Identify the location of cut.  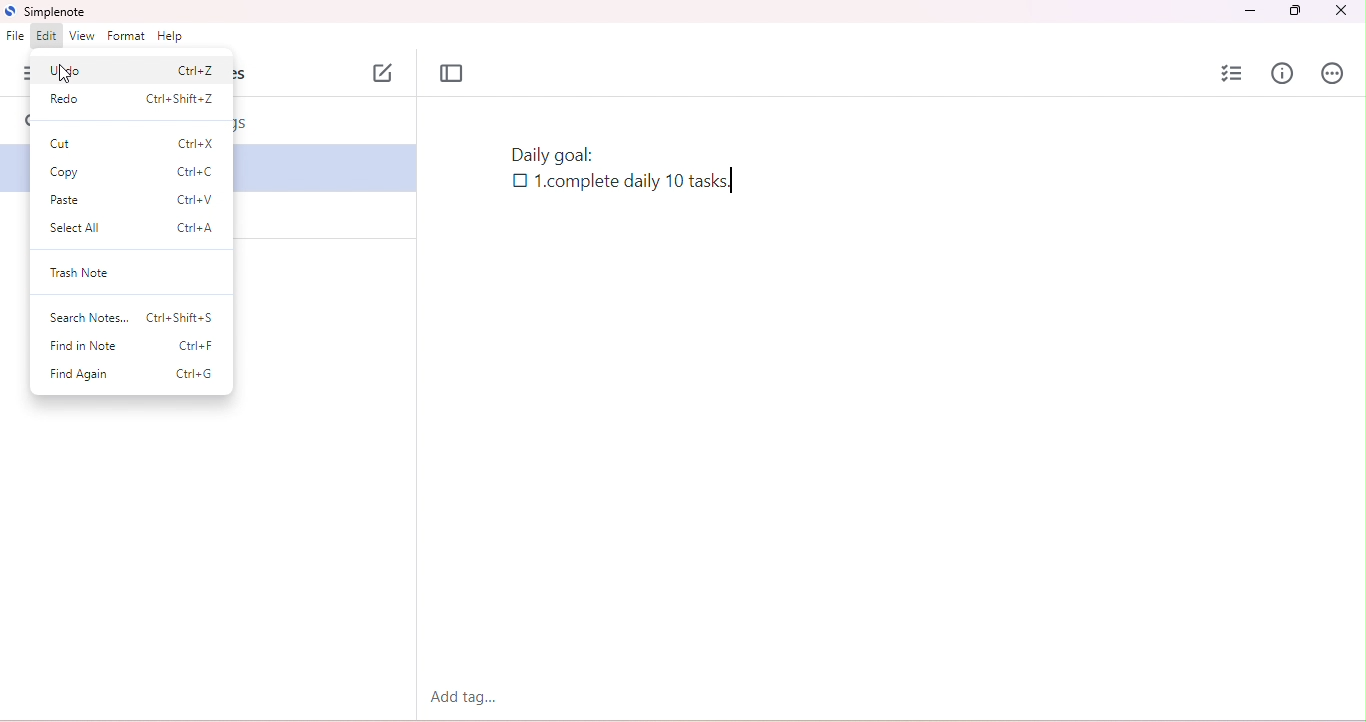
(131, 142).